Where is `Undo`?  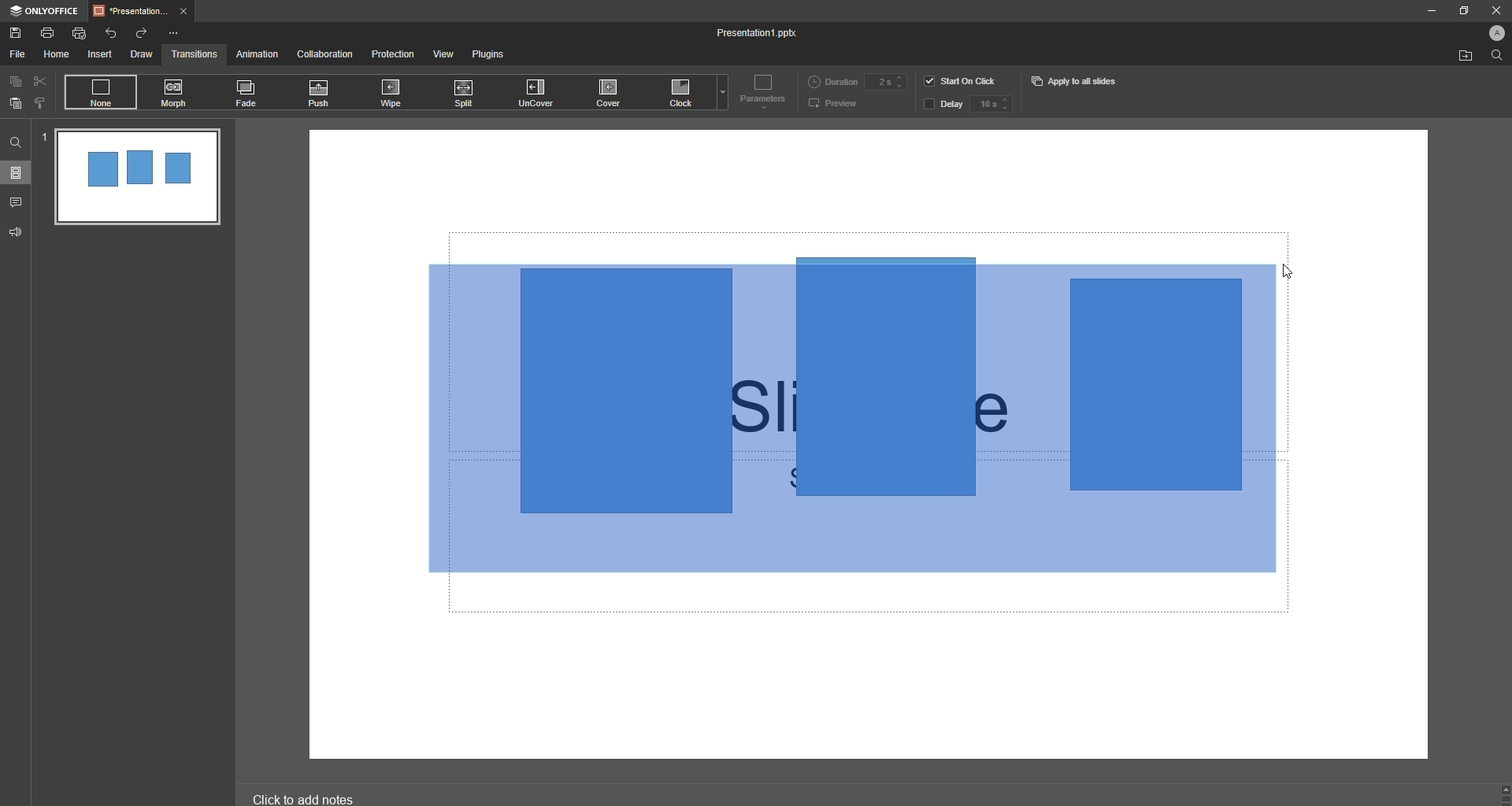 Undo is located at coordinates (112, 32).